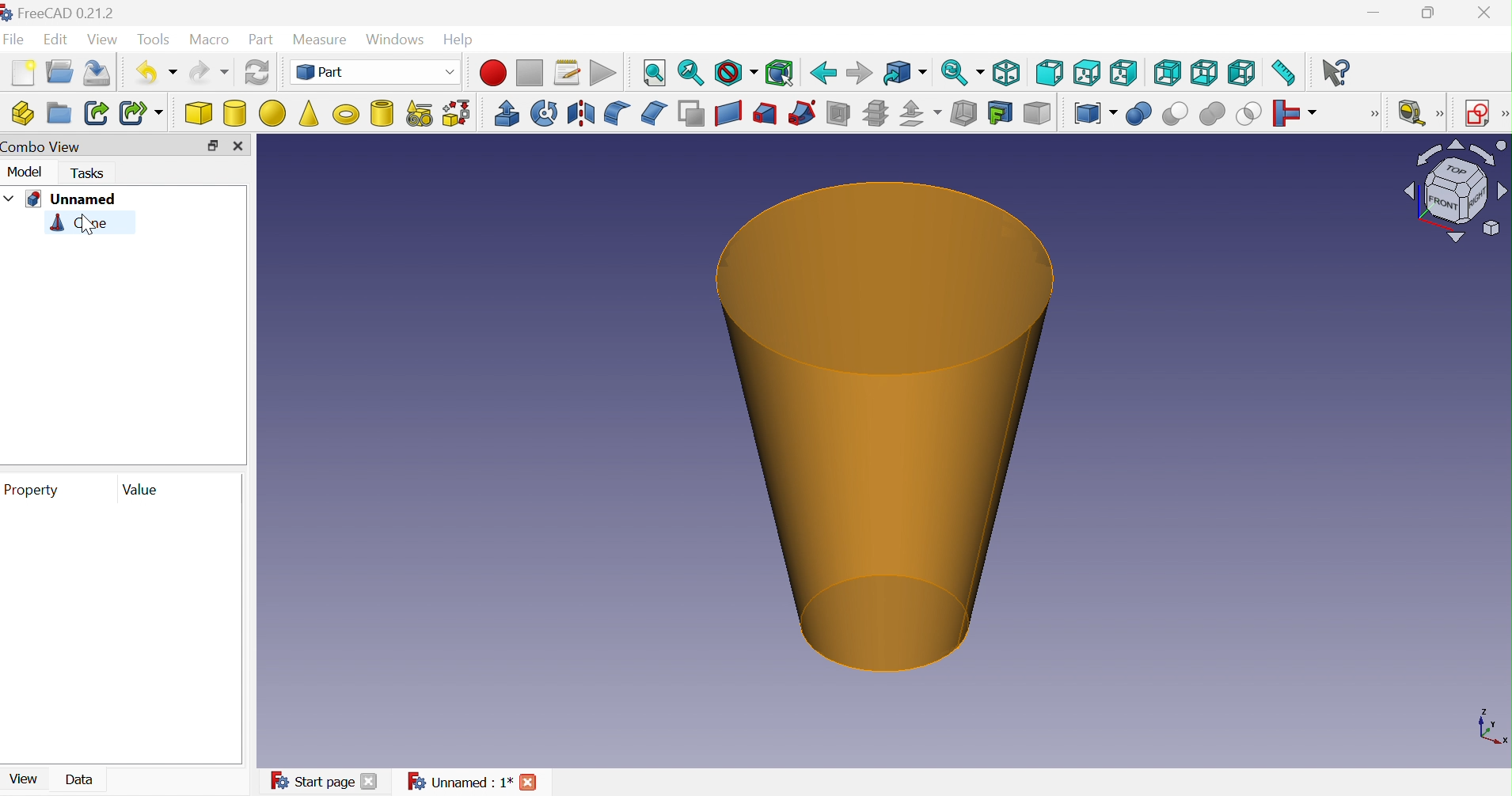 The height and width of the screenshot is (796, 1512). What do you see at coordinates (1491, 729) in the screenshot?
I see `x, y, z axis` at bounding box center [1491, 729].